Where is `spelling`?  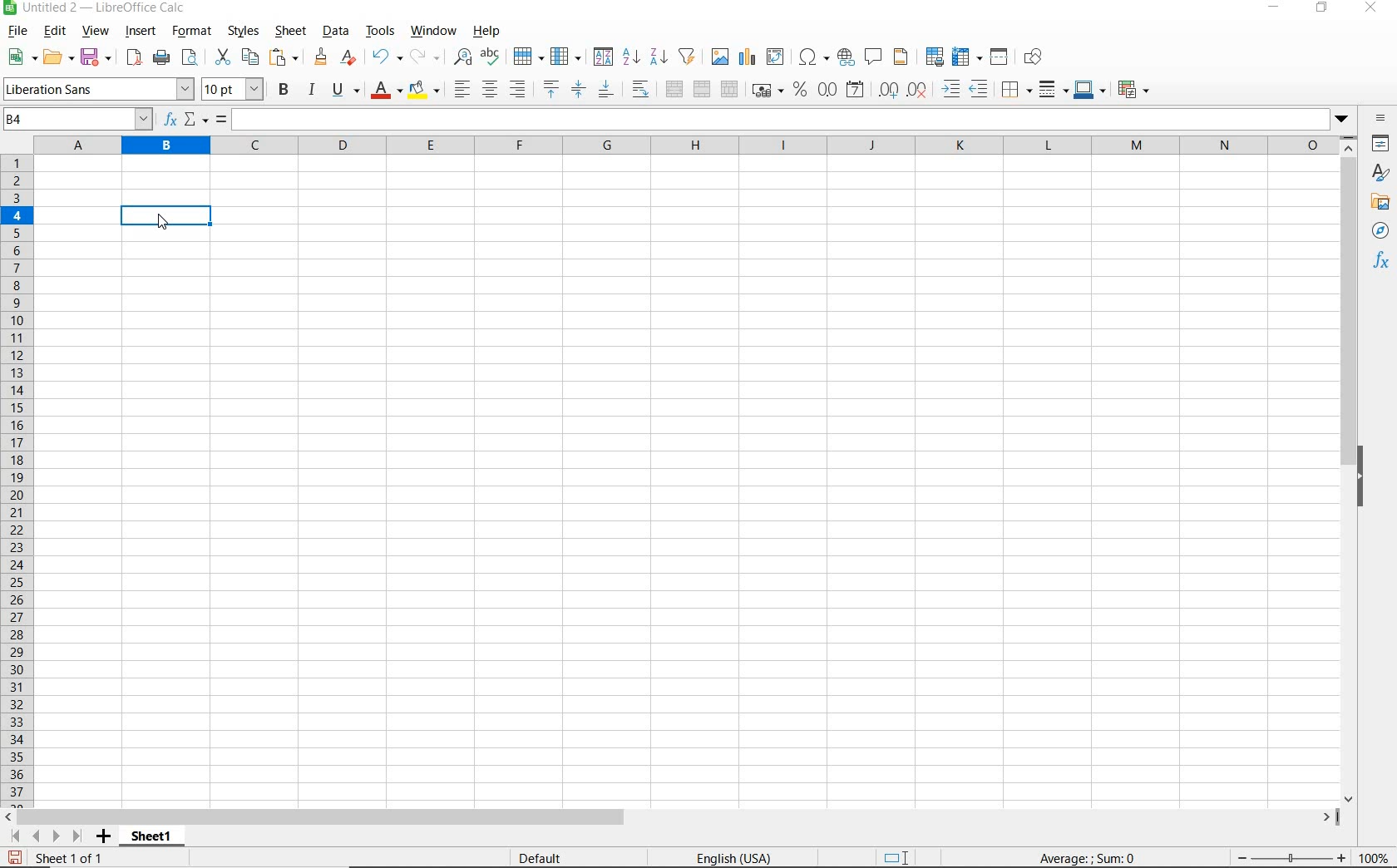
spelling is located at coordinates (491, 57).